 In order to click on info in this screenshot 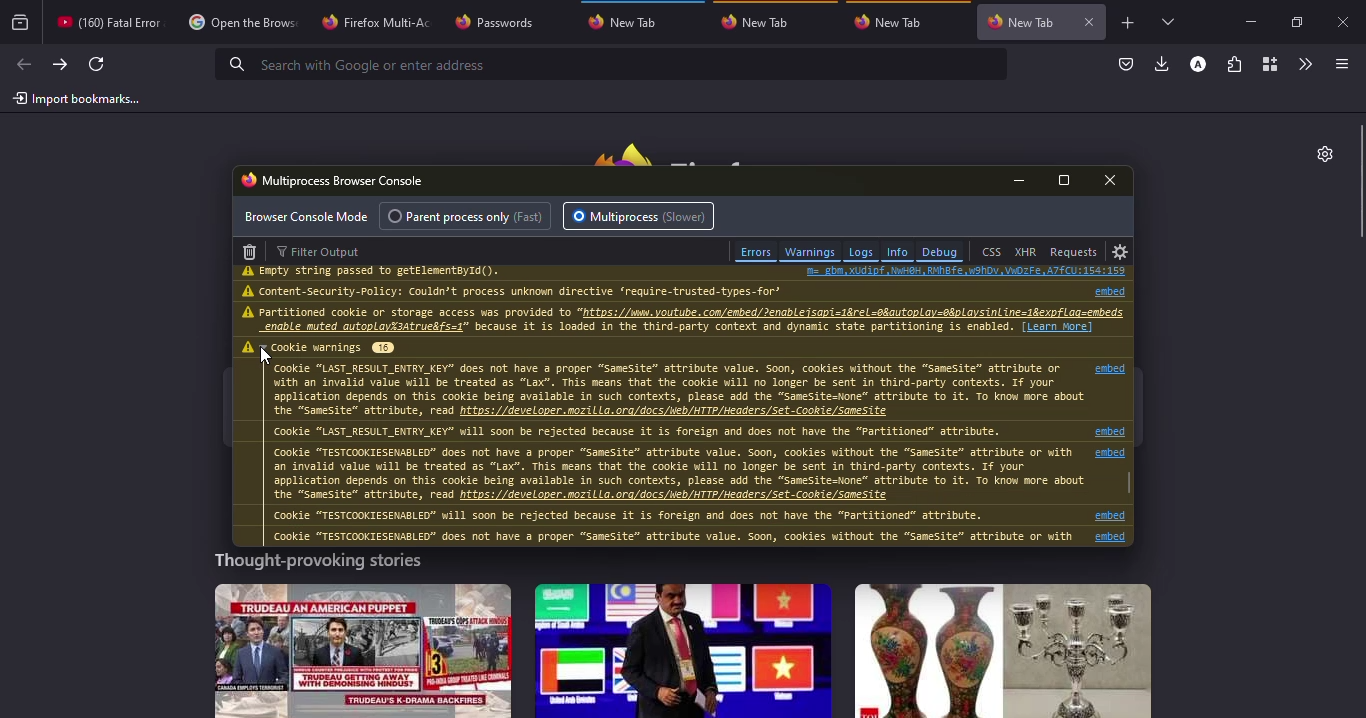, I will do `click(525, 291)`.